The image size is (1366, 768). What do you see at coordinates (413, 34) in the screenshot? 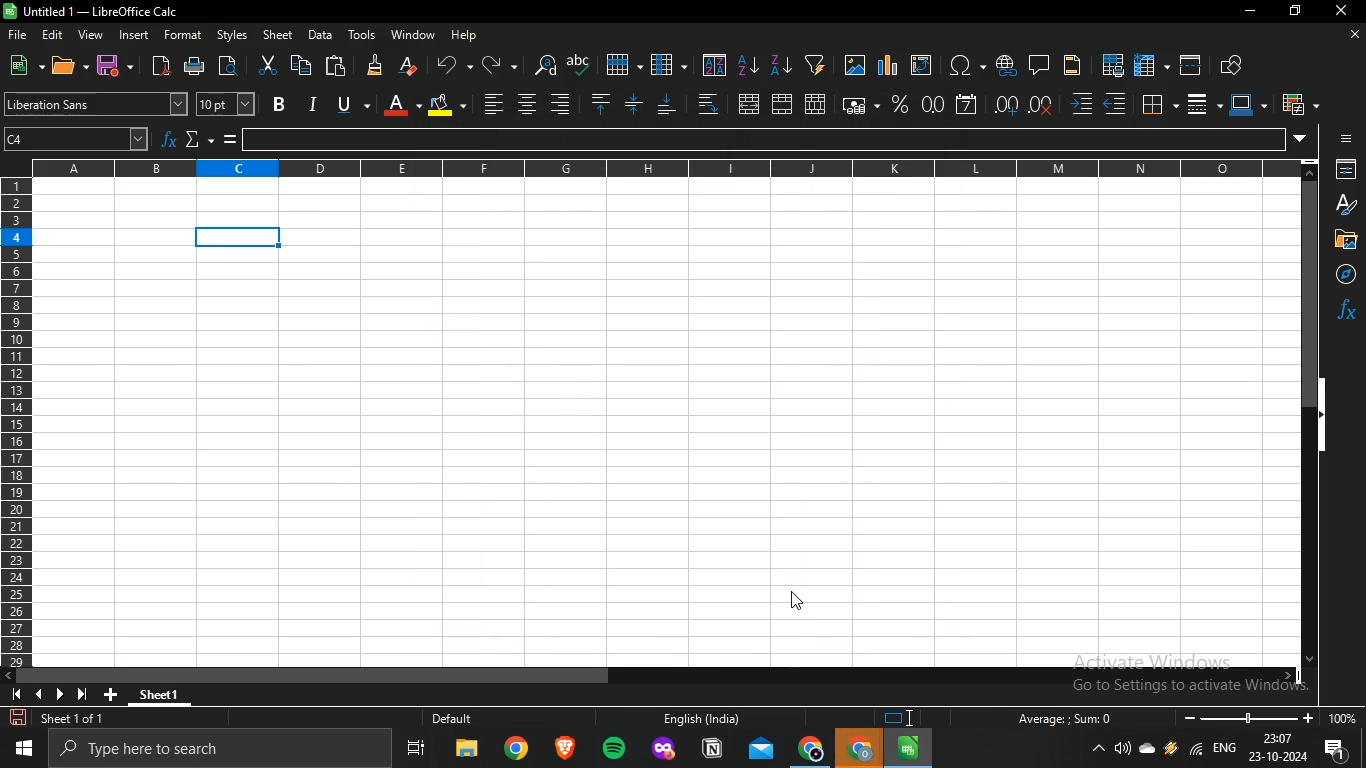
I see `window` at bounding box center [413, 34].